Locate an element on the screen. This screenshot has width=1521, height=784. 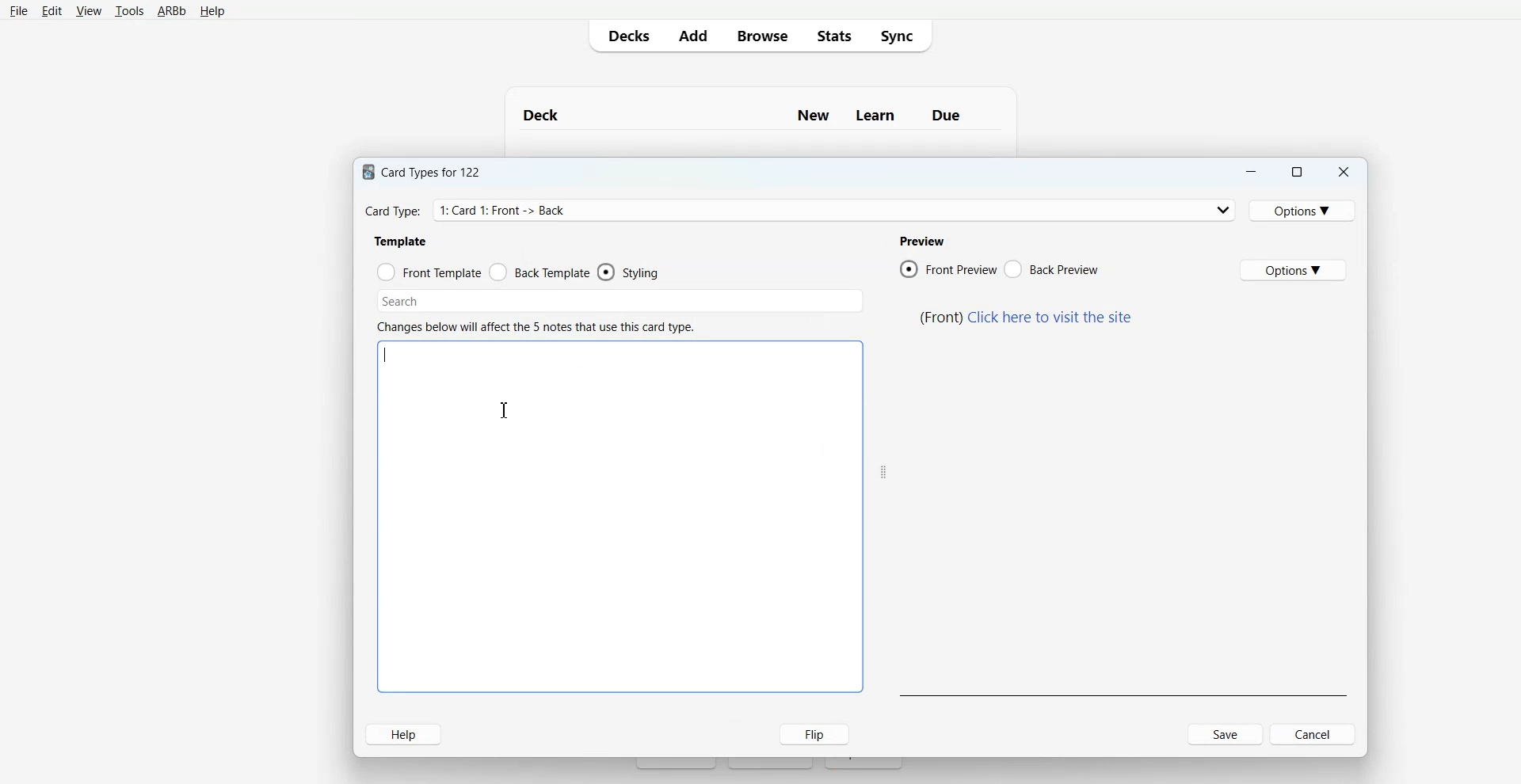
Add is located at coordinates (692, 35).